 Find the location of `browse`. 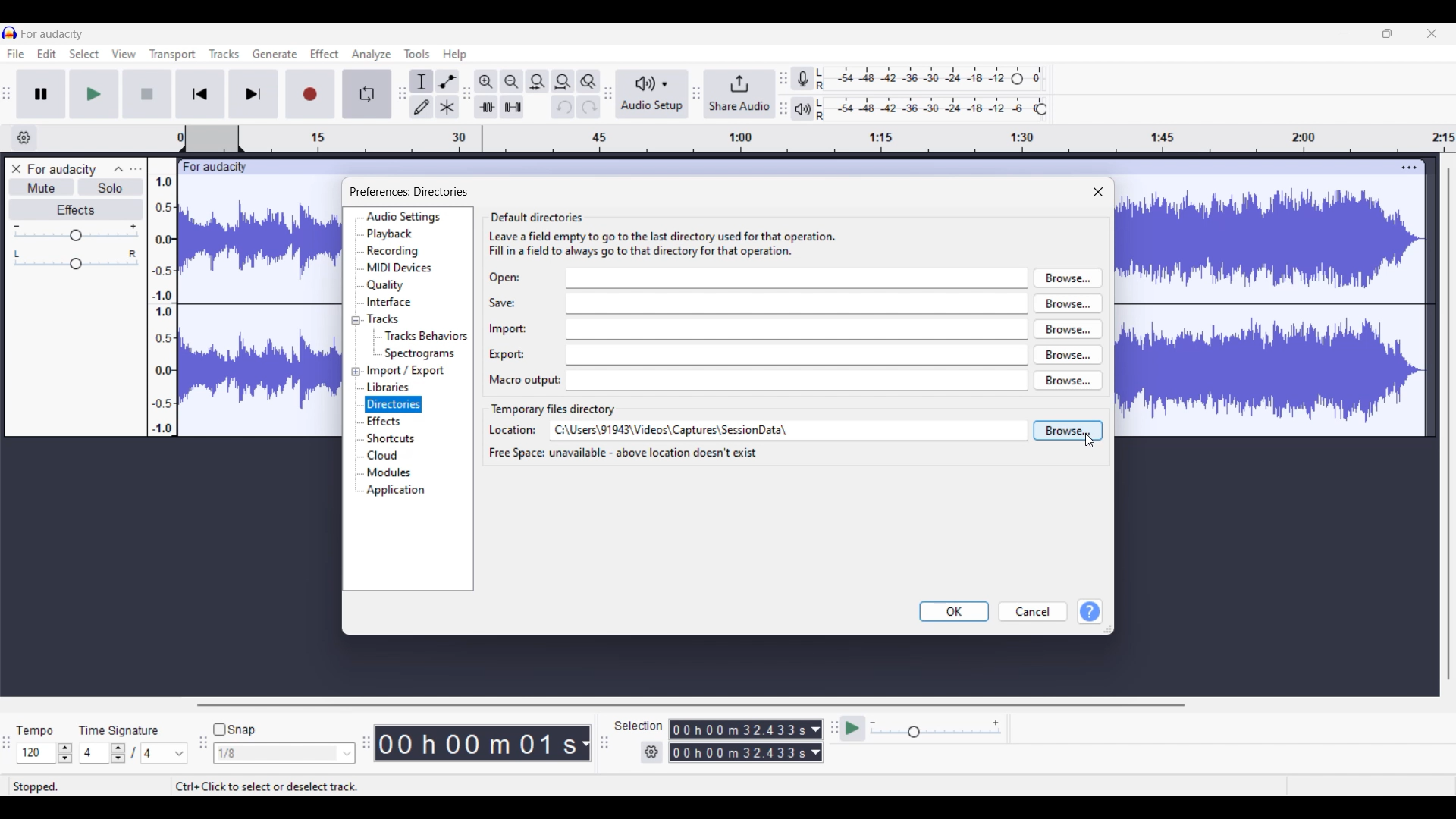

browse is located at coordinates (1068, 429).